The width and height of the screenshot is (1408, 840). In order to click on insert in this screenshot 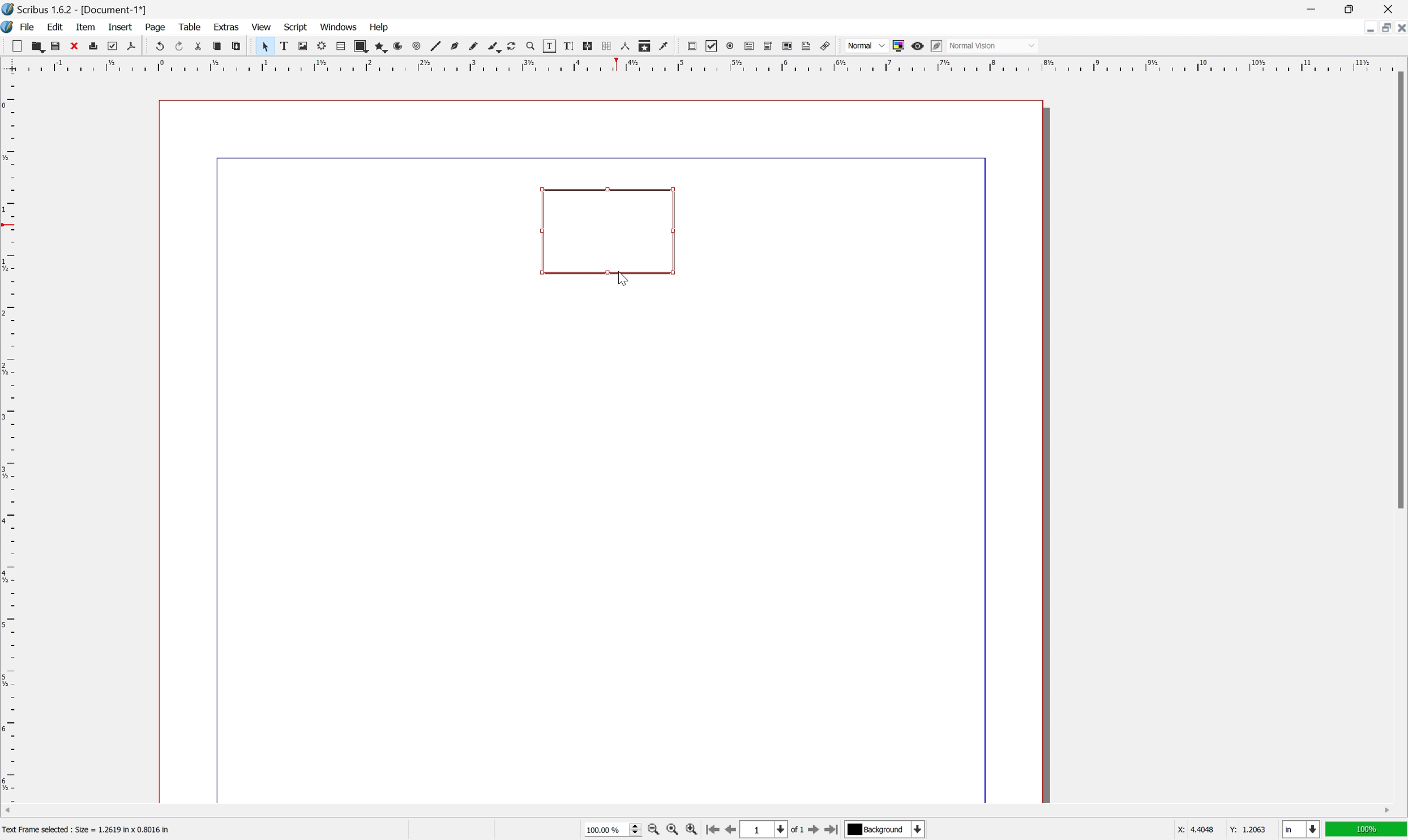, I will do `click(122, 28)`.